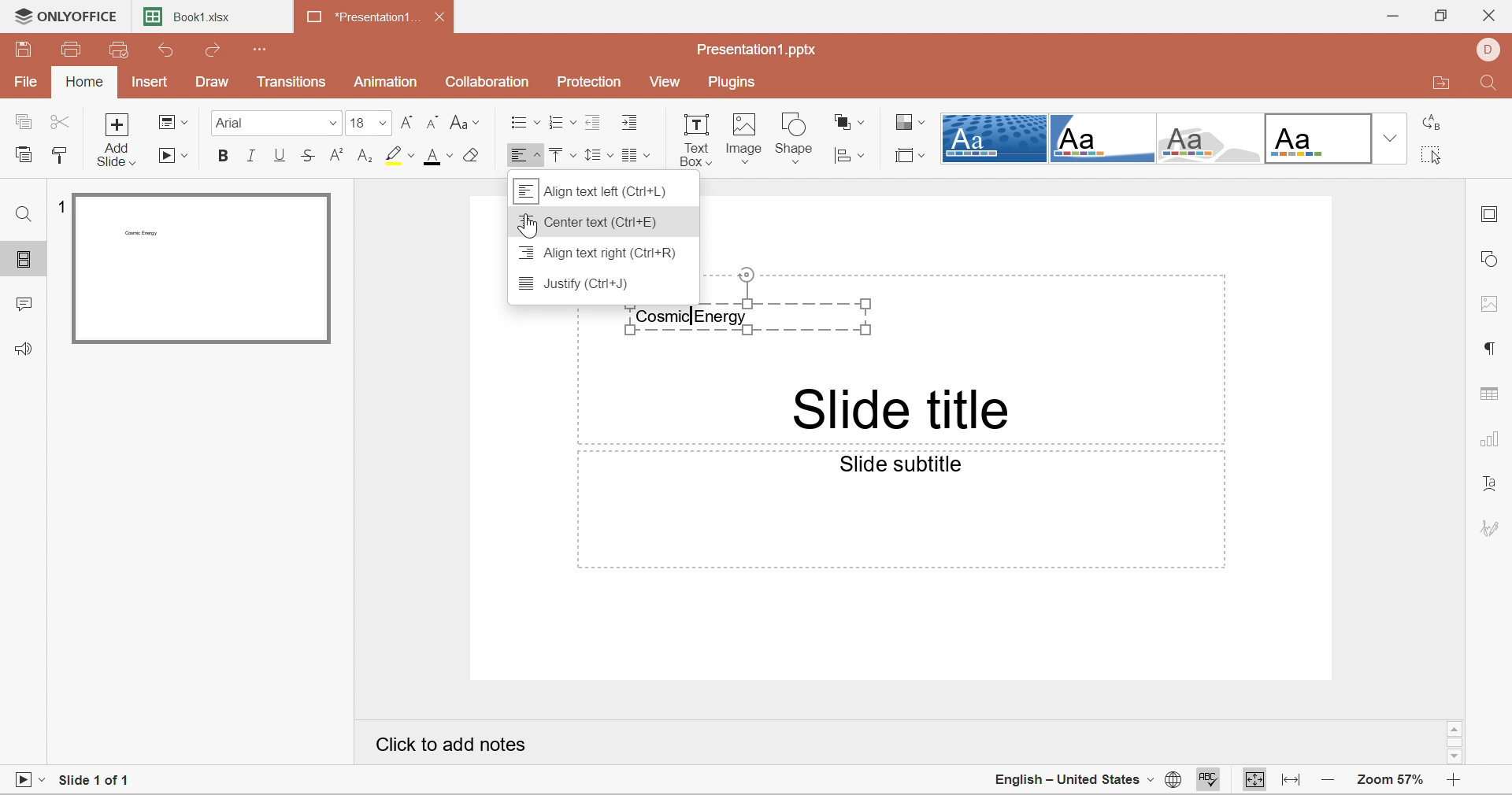 The height and width of the screenshot is (795, 1512). What do you see at coordinates (851, 155) in the screenshot?
I see `Align shape` at bounding box center [851, 155].